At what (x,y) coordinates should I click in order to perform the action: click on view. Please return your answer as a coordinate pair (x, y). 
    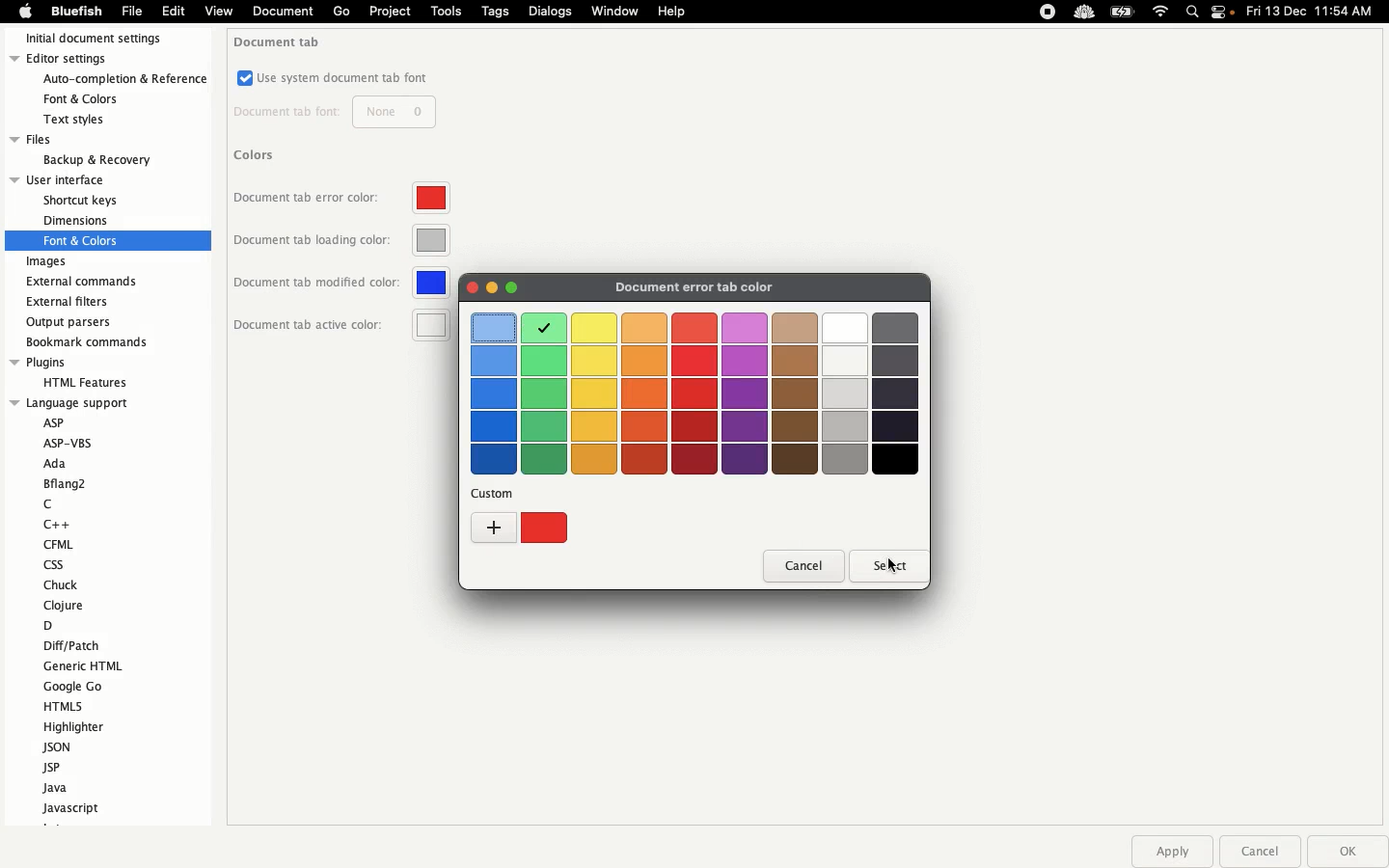
    Looking at the image, I should click on (218, 14).